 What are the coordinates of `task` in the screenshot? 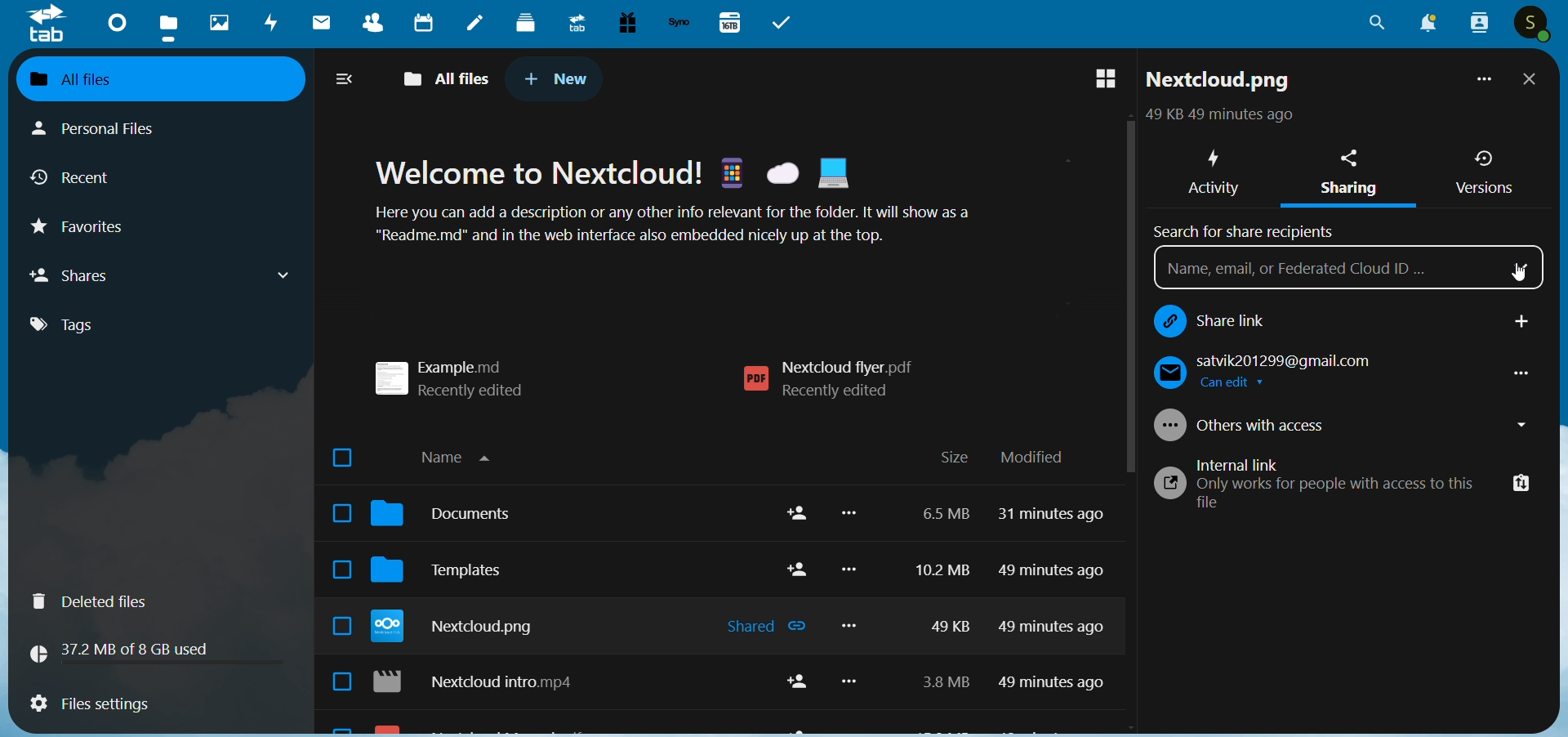 It's located at (786, 23).